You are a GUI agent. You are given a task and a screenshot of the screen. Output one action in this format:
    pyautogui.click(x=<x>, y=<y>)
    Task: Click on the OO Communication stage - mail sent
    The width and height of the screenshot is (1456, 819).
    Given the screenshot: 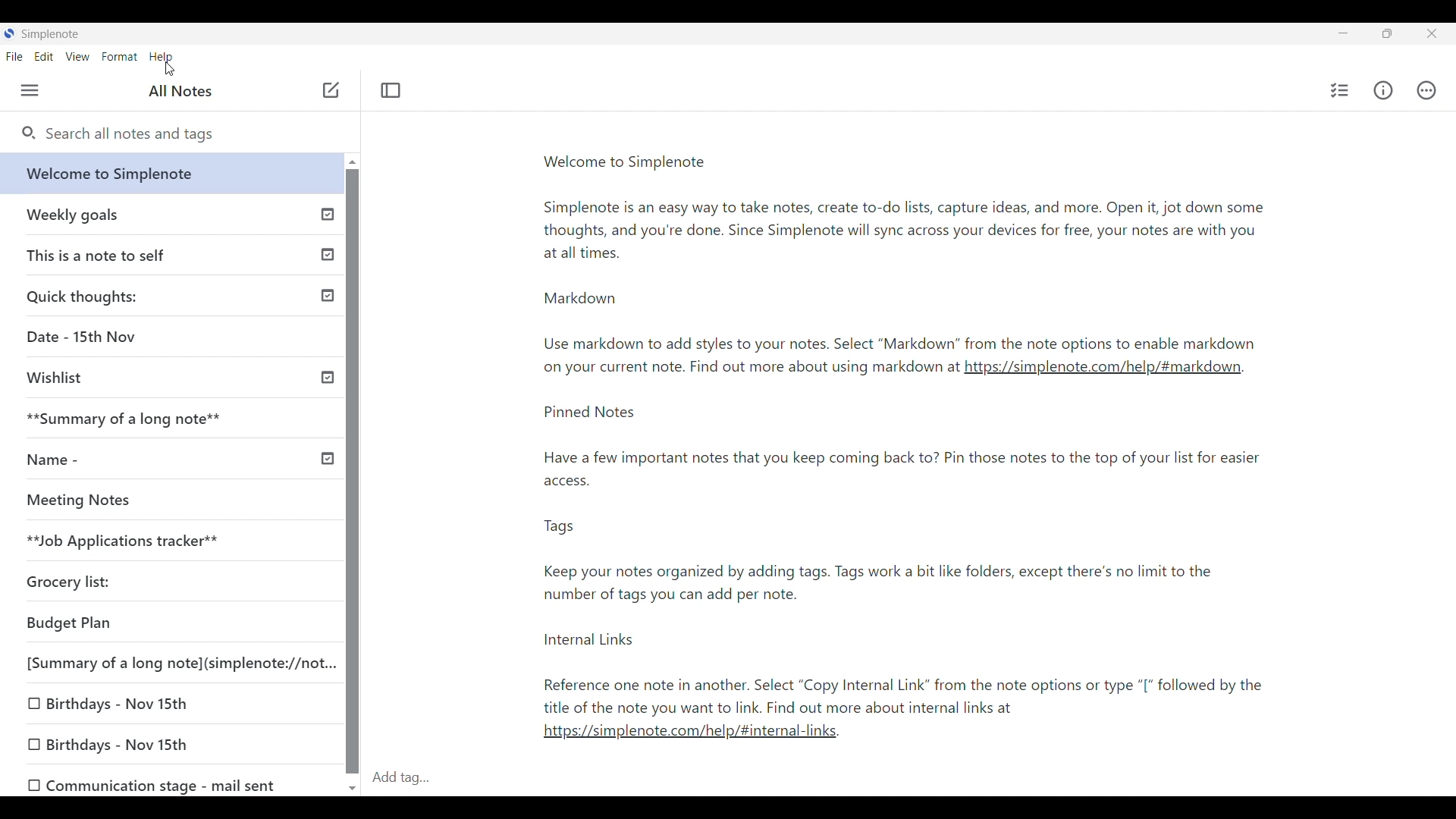 What is the action you would take?
    pyautogui.click(x=146, y=783)
    